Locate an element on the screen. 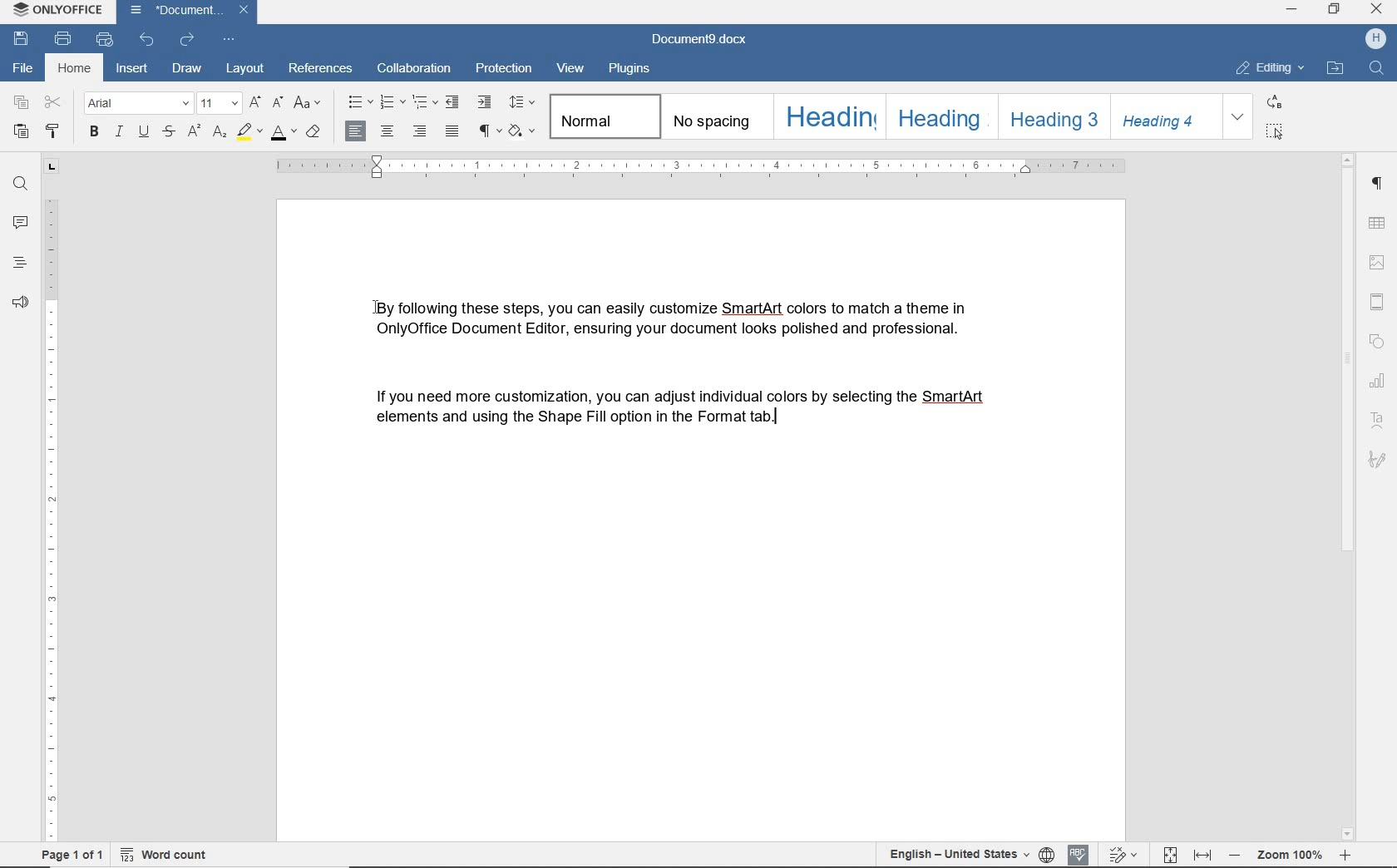  home is located at coordinates (72, 67).